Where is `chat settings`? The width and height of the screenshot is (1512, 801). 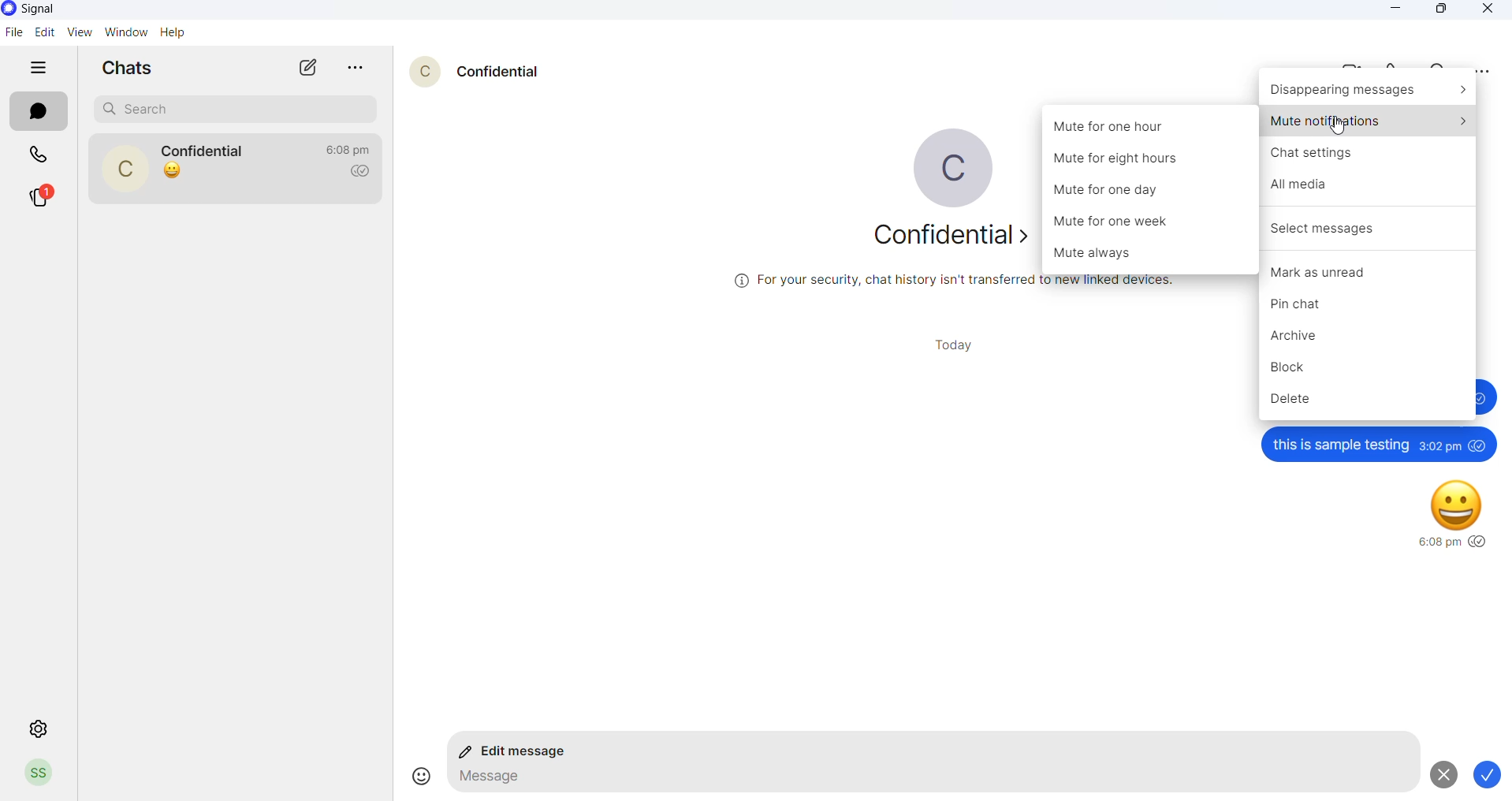
chat settings is located at coordinates (1369, 152).